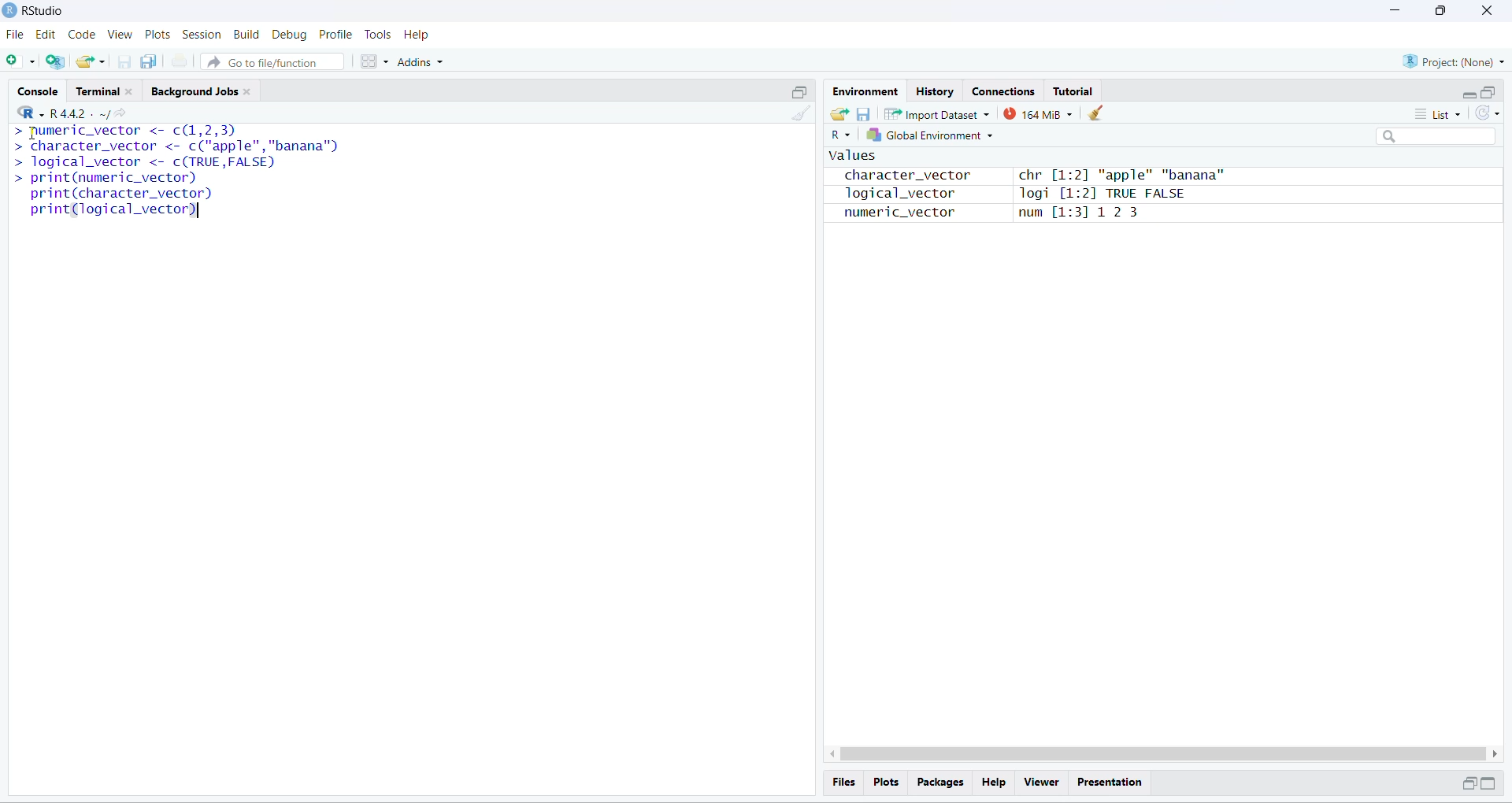 This screenshot has width=1512, height=803. Describe the element at coordinates (1489, 783) in the screenshot. I see `maximize` at that location.